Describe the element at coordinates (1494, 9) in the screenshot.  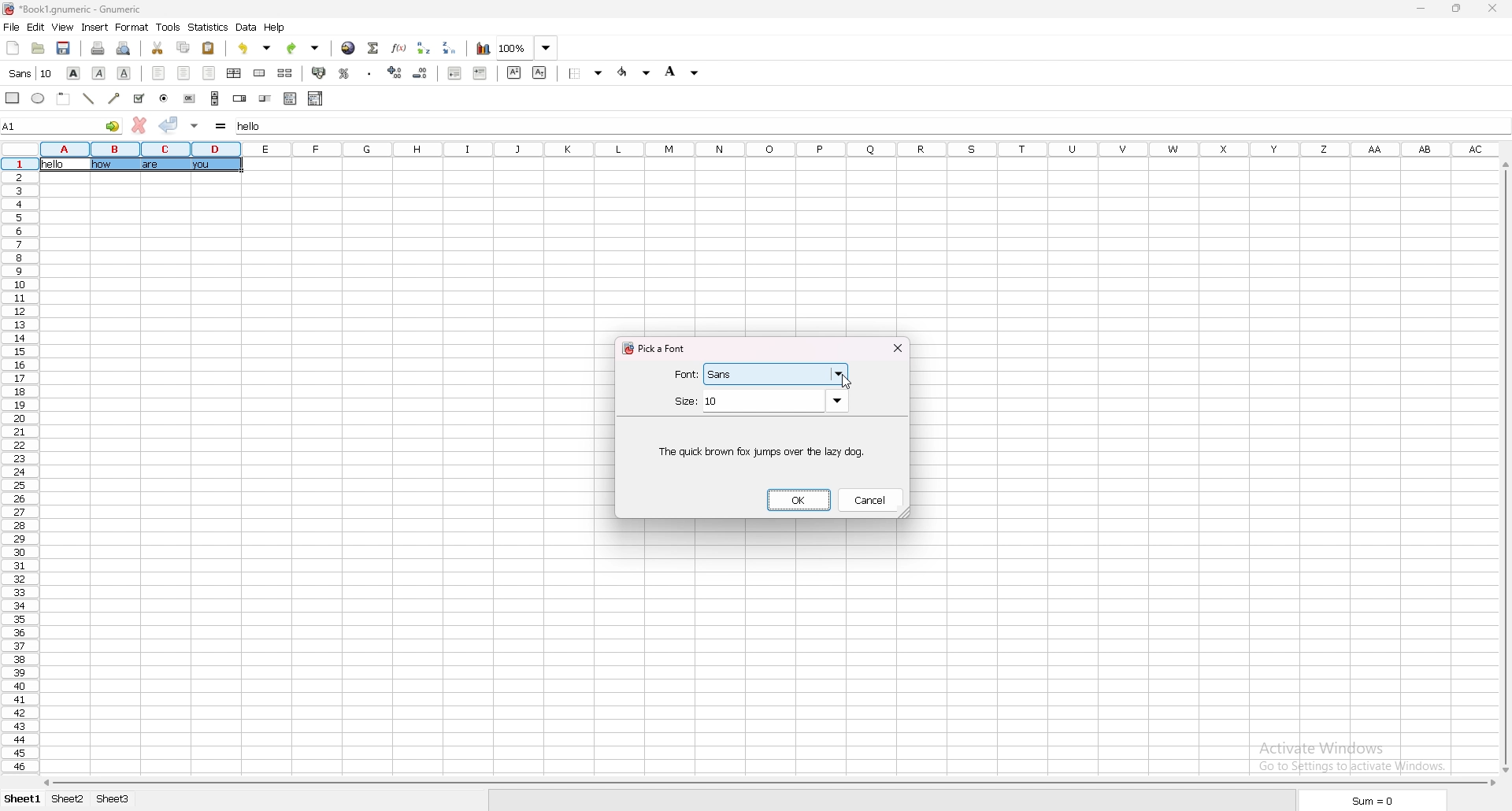
I see `close` at that location.